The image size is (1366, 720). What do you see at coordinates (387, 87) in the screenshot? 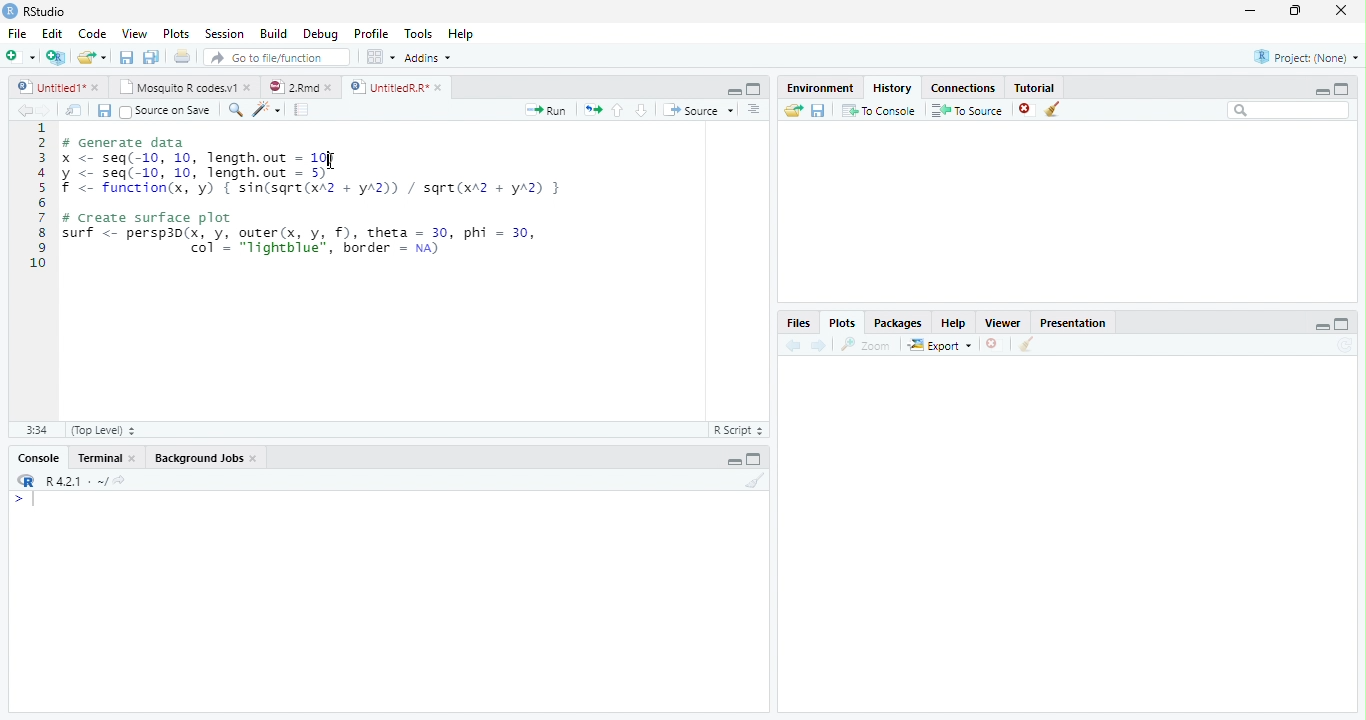
I see `UntitledR.R*` at bounding box center [387, 87].